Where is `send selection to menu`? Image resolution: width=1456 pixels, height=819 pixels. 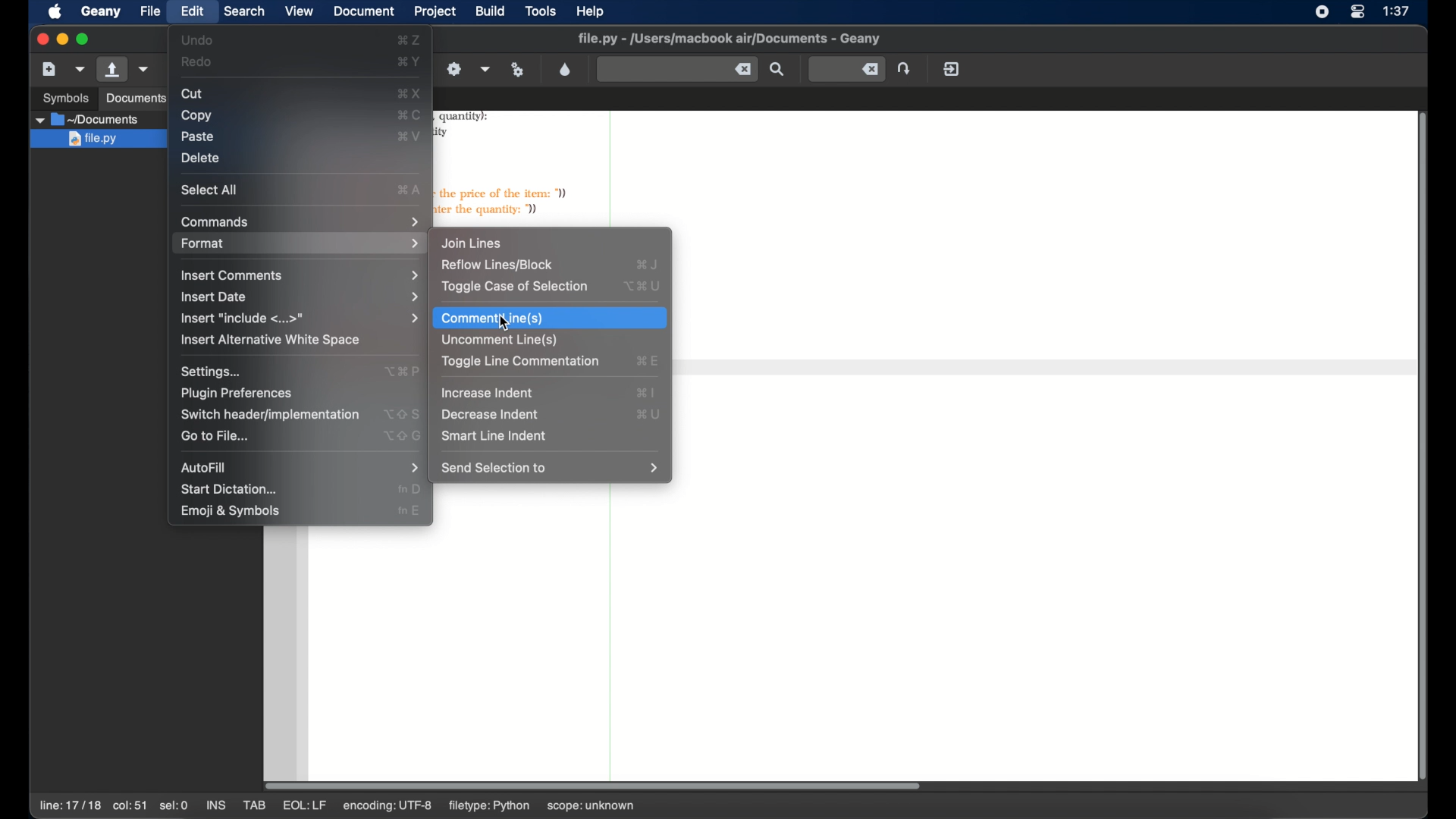 send selection to menu is located at coordinates (551, 468).